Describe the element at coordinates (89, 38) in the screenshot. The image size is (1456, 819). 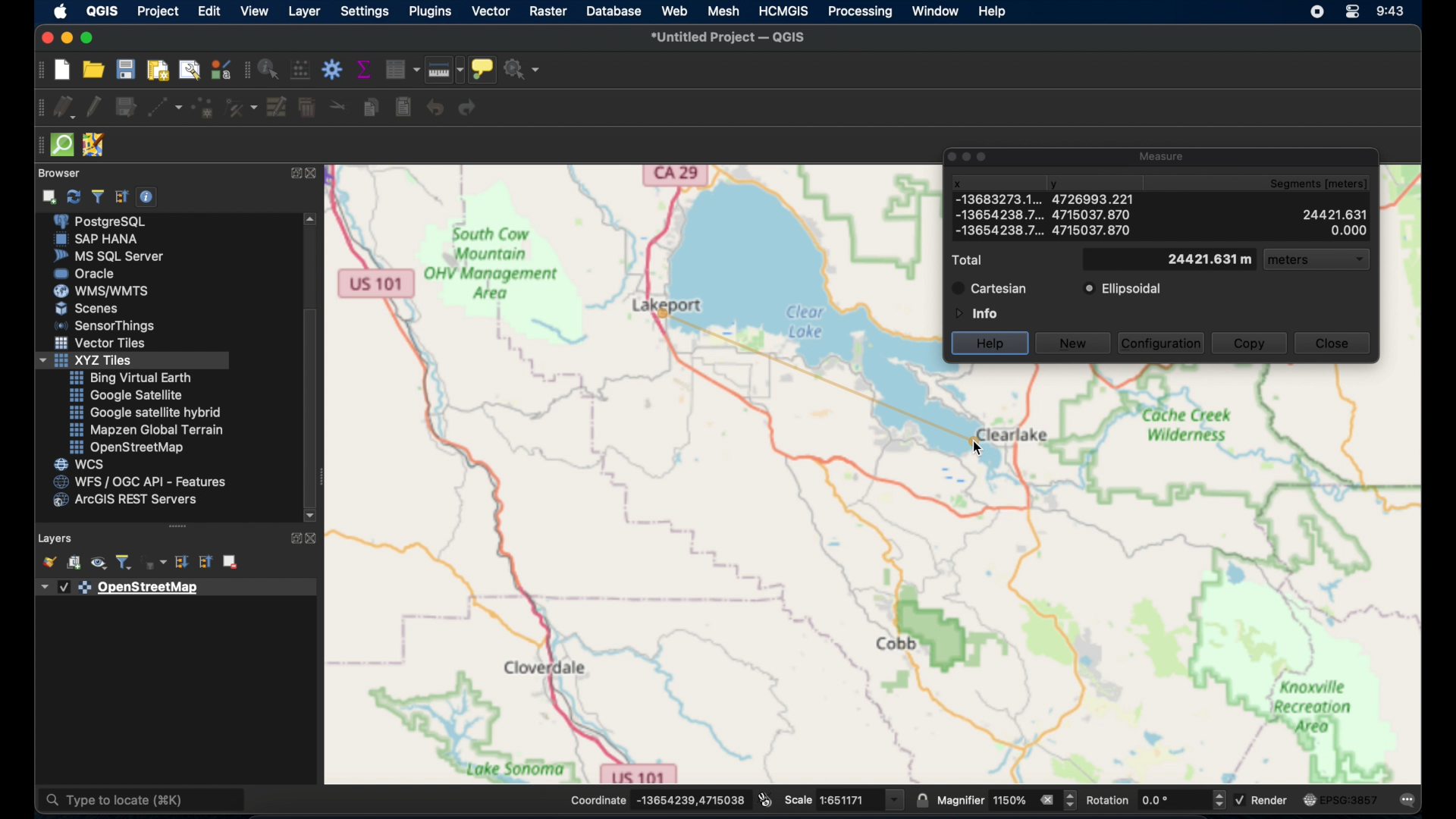
I see `maximize` at that location.